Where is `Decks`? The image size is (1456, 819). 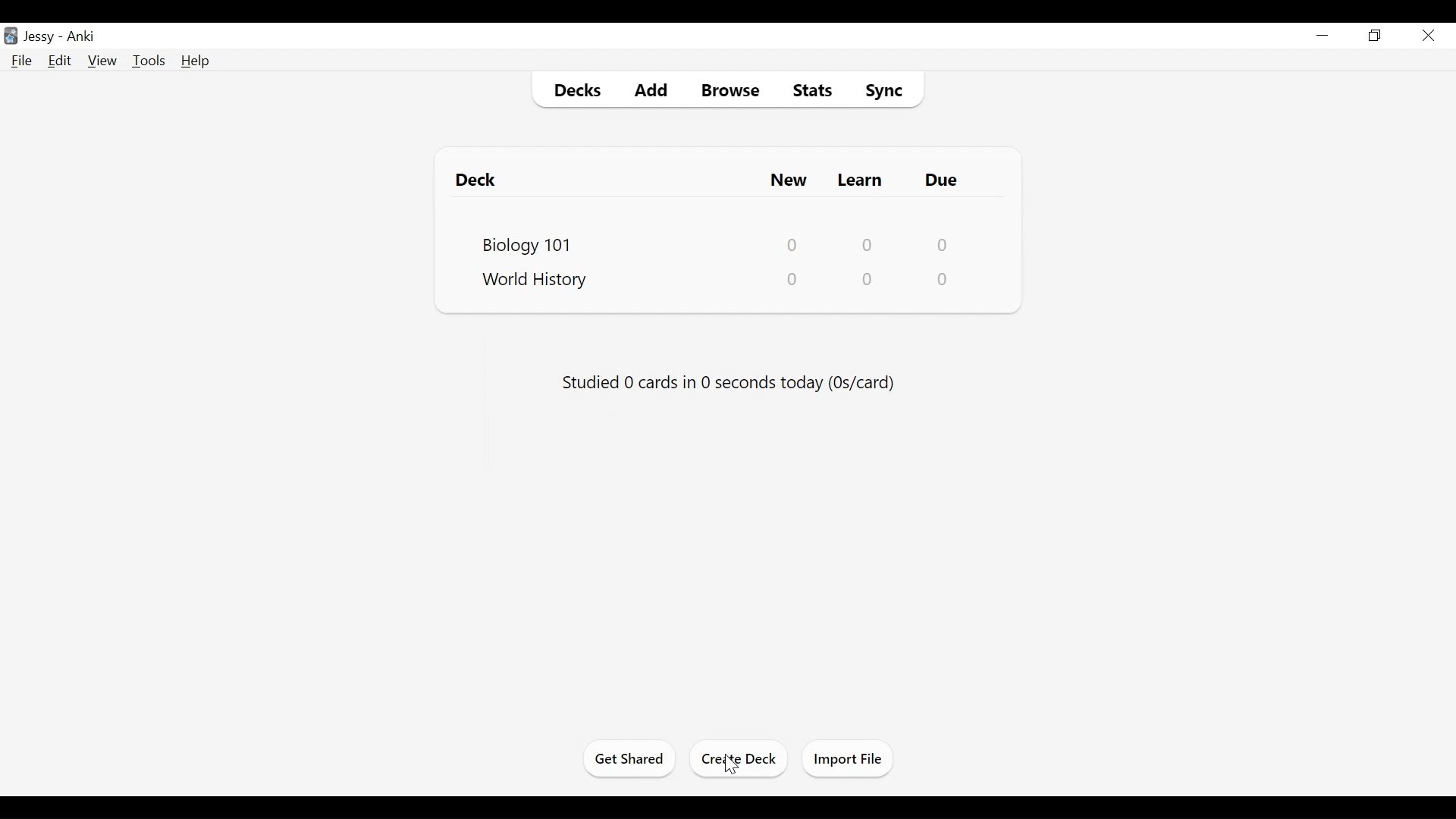
Decks is located at coordinates (573, 89).